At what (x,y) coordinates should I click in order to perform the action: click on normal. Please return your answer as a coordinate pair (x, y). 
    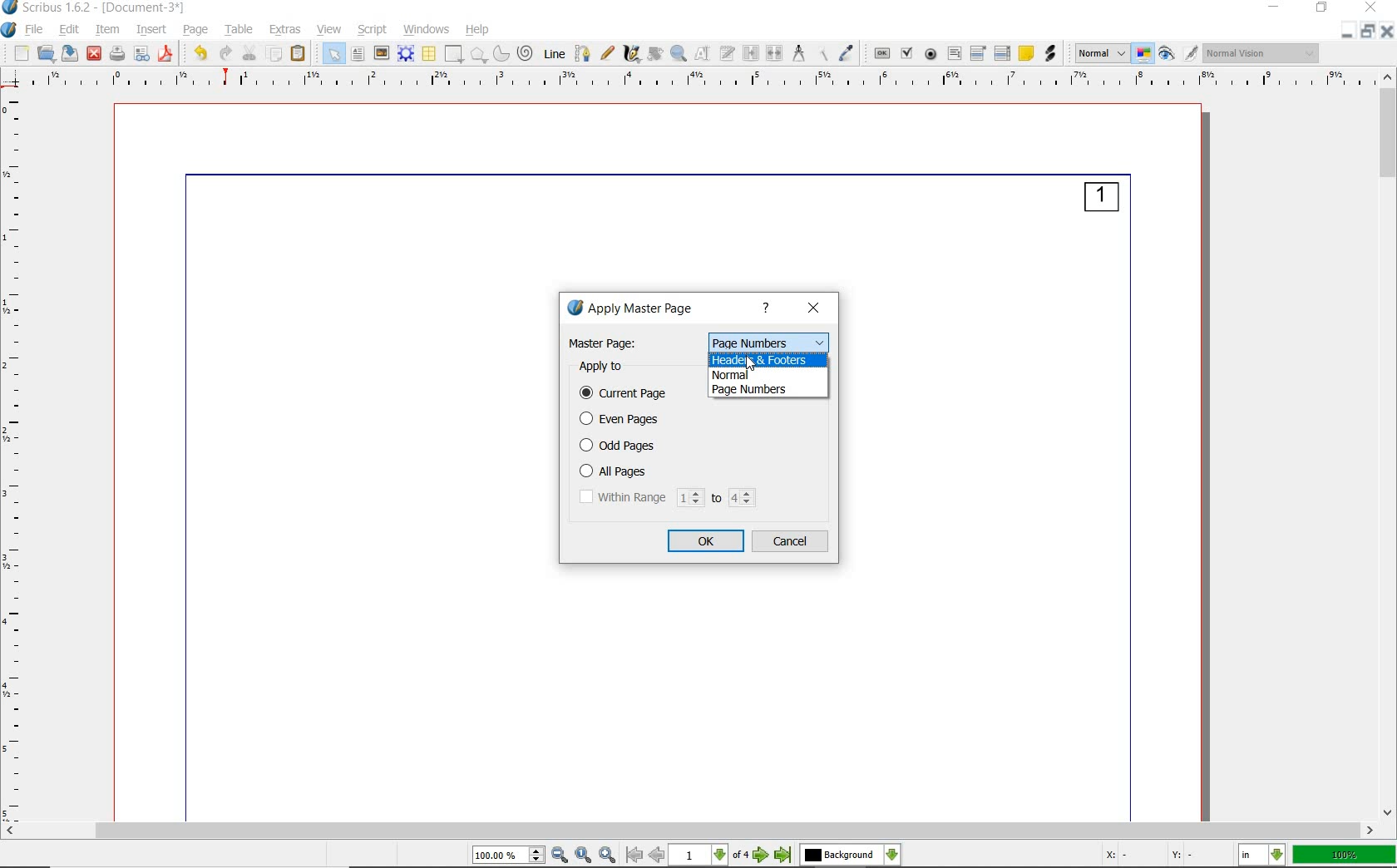
    Looking at the image, I should click on (771, 375).